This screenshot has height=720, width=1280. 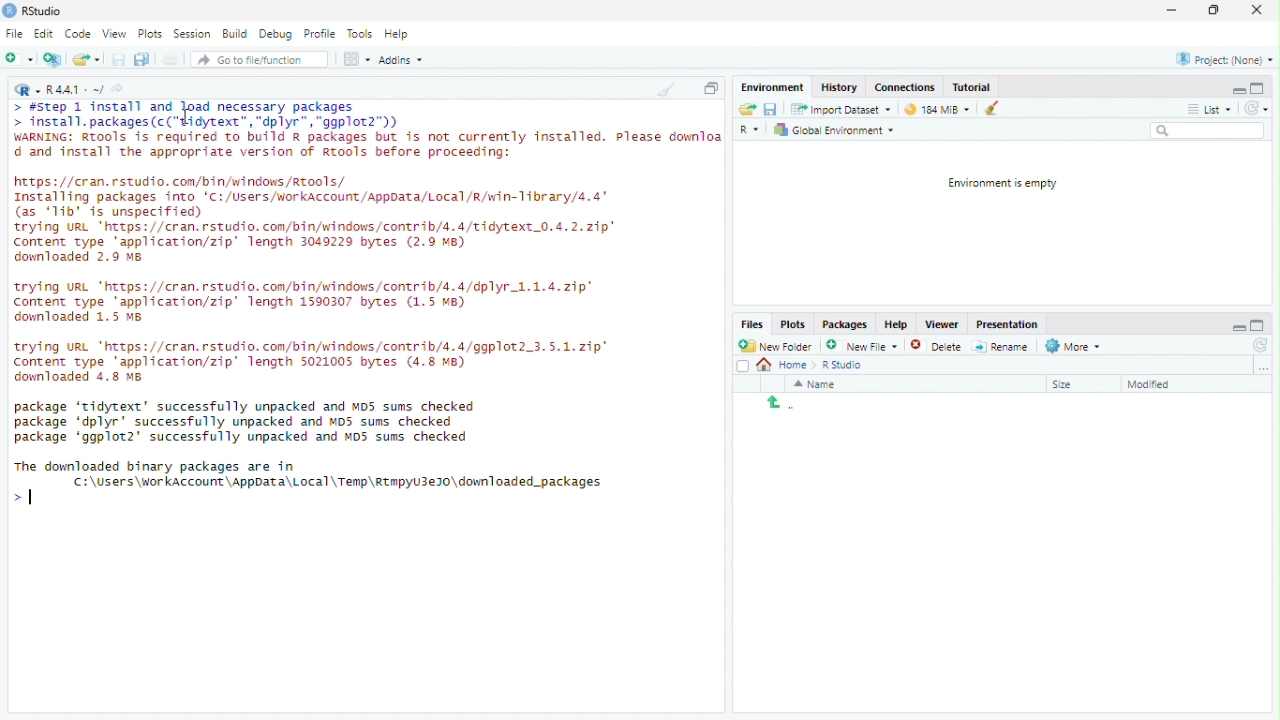 What do you see at coordinates (252, 60) in the screenshot?
I see `Go to file/function` at bounding box center [252, 60].